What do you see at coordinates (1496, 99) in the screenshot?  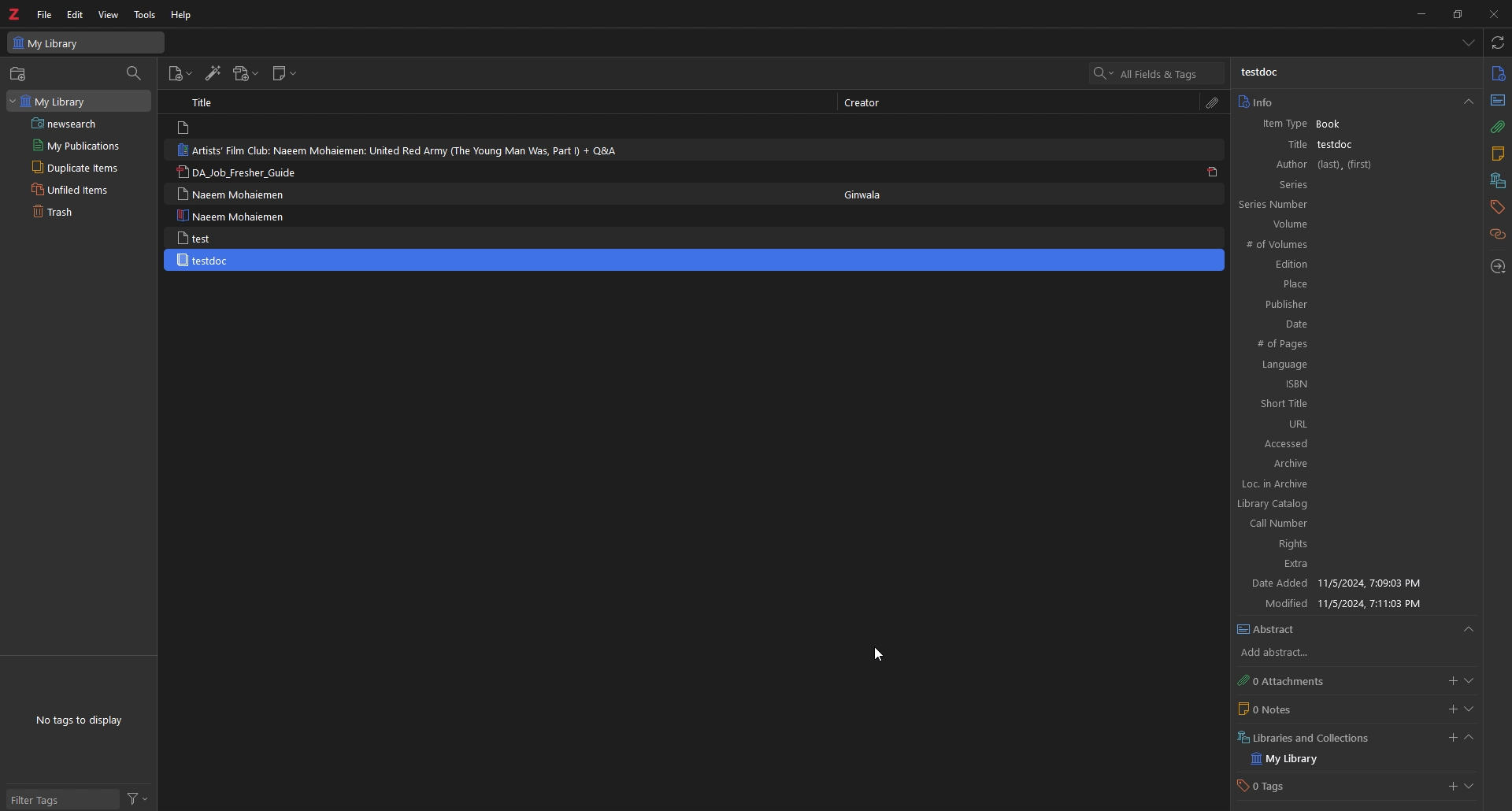 I see `abstract` at bounding box center [1496, 99].